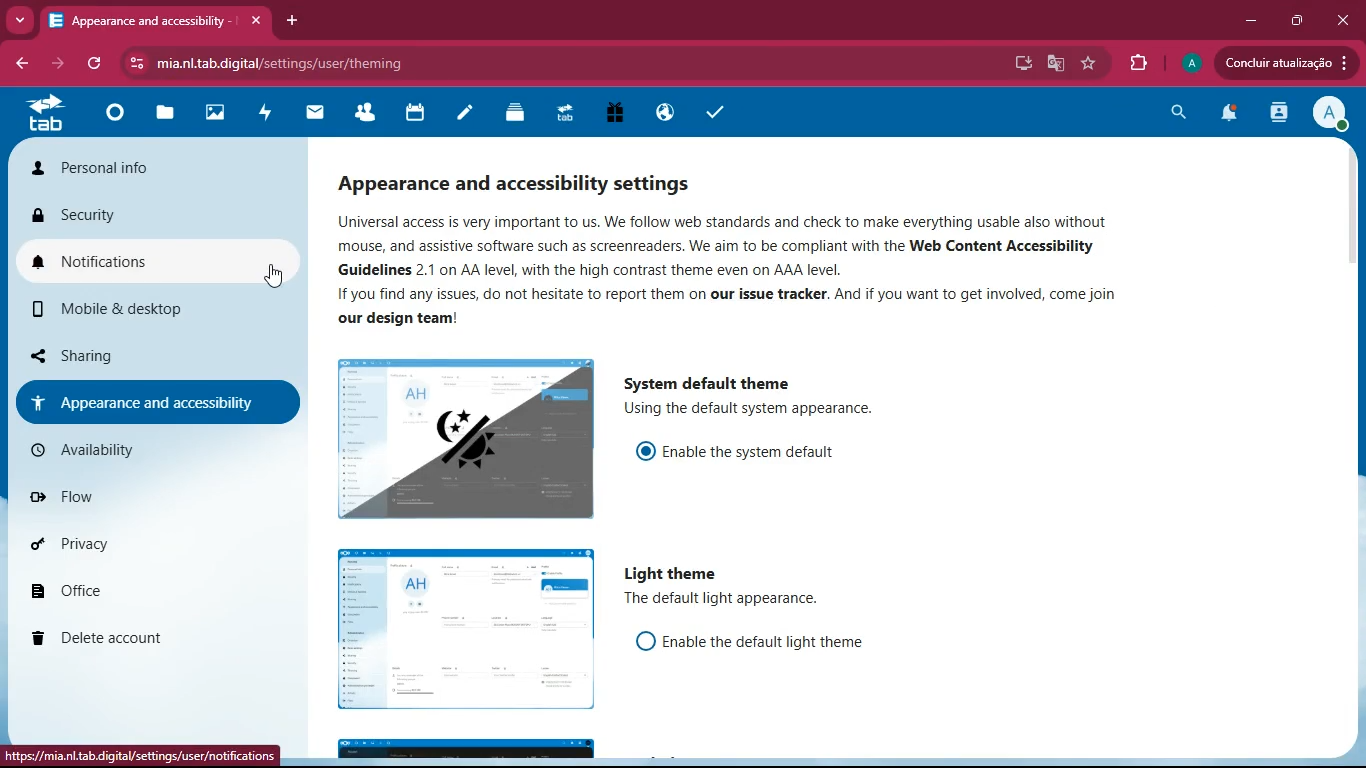  I want to click on images, so click(222, 115).